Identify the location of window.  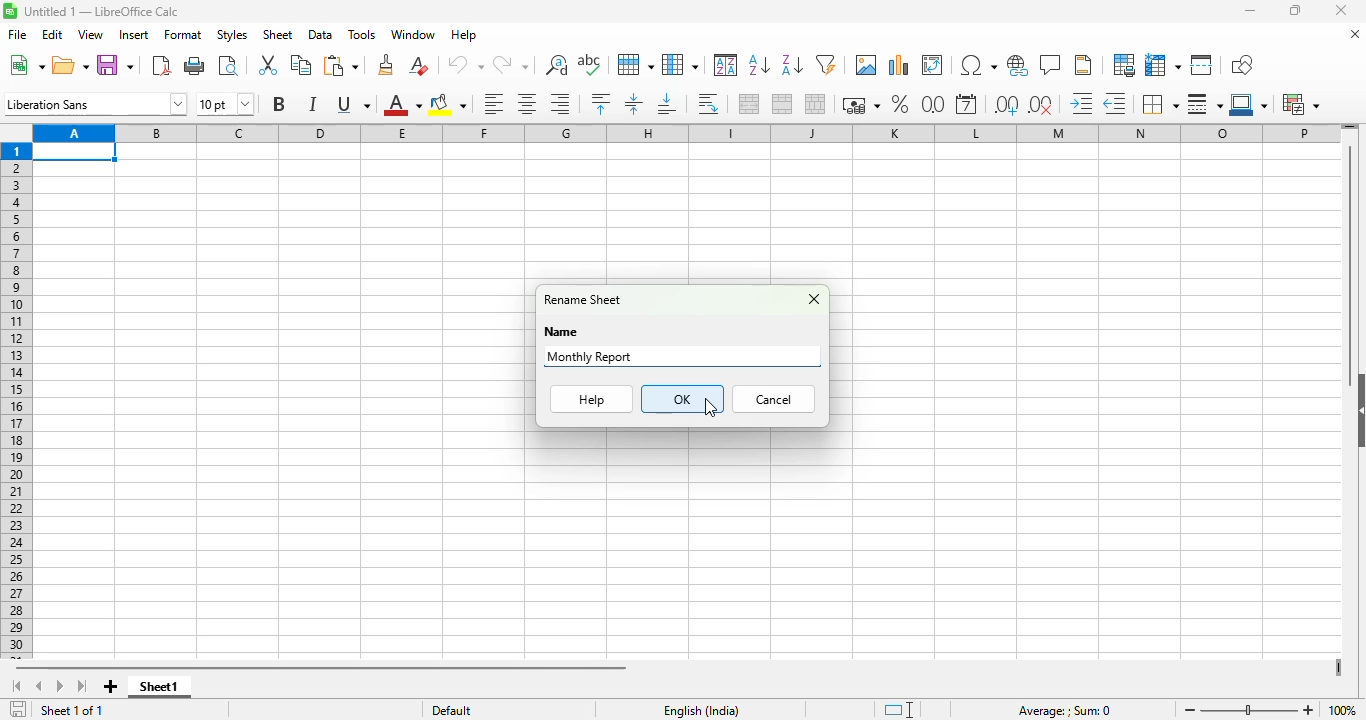
(412, 35).